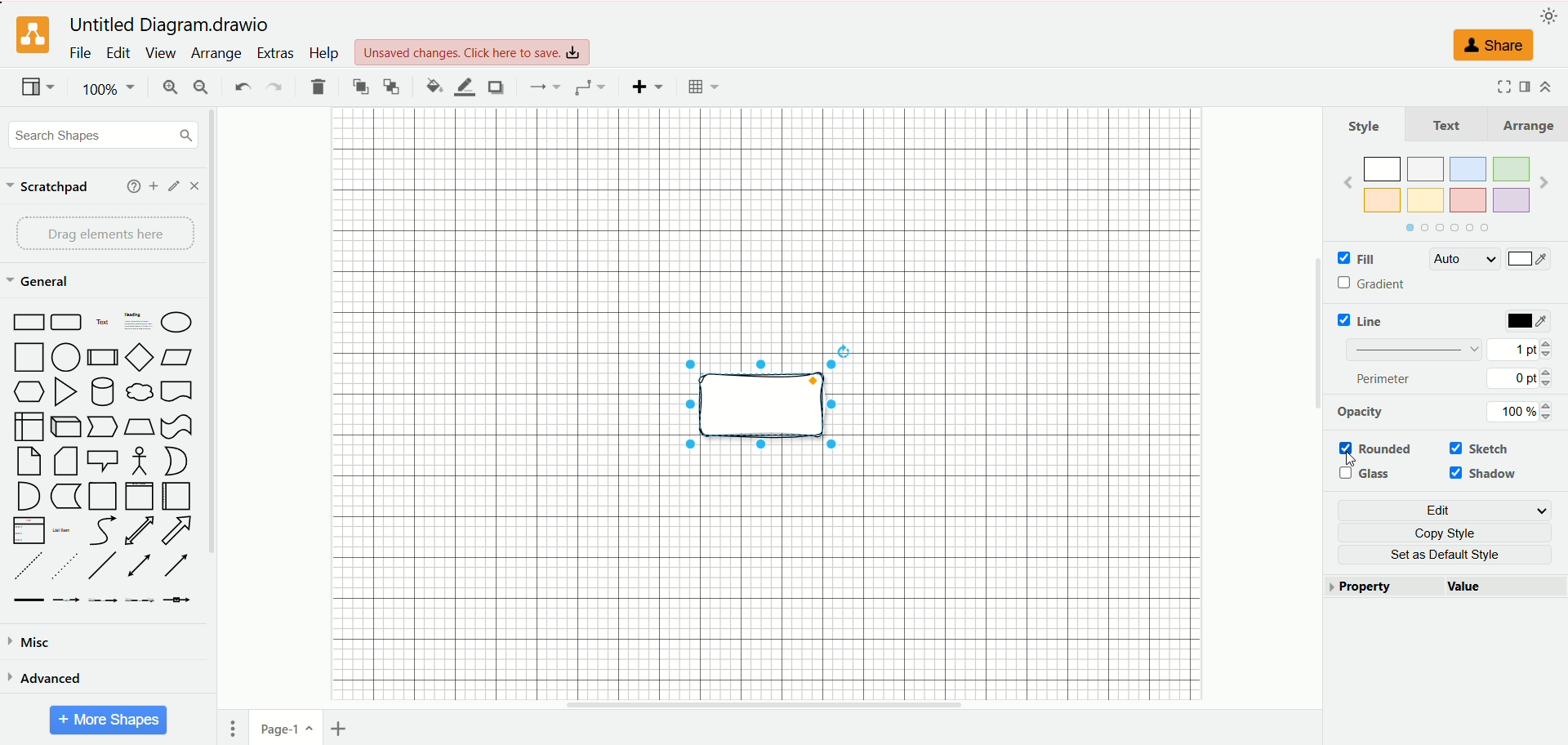 The height and width of the screenshot is (745, 1568). Describe the element at coordinates (1355, 260) in the screenshot. I see `fill` at that location.